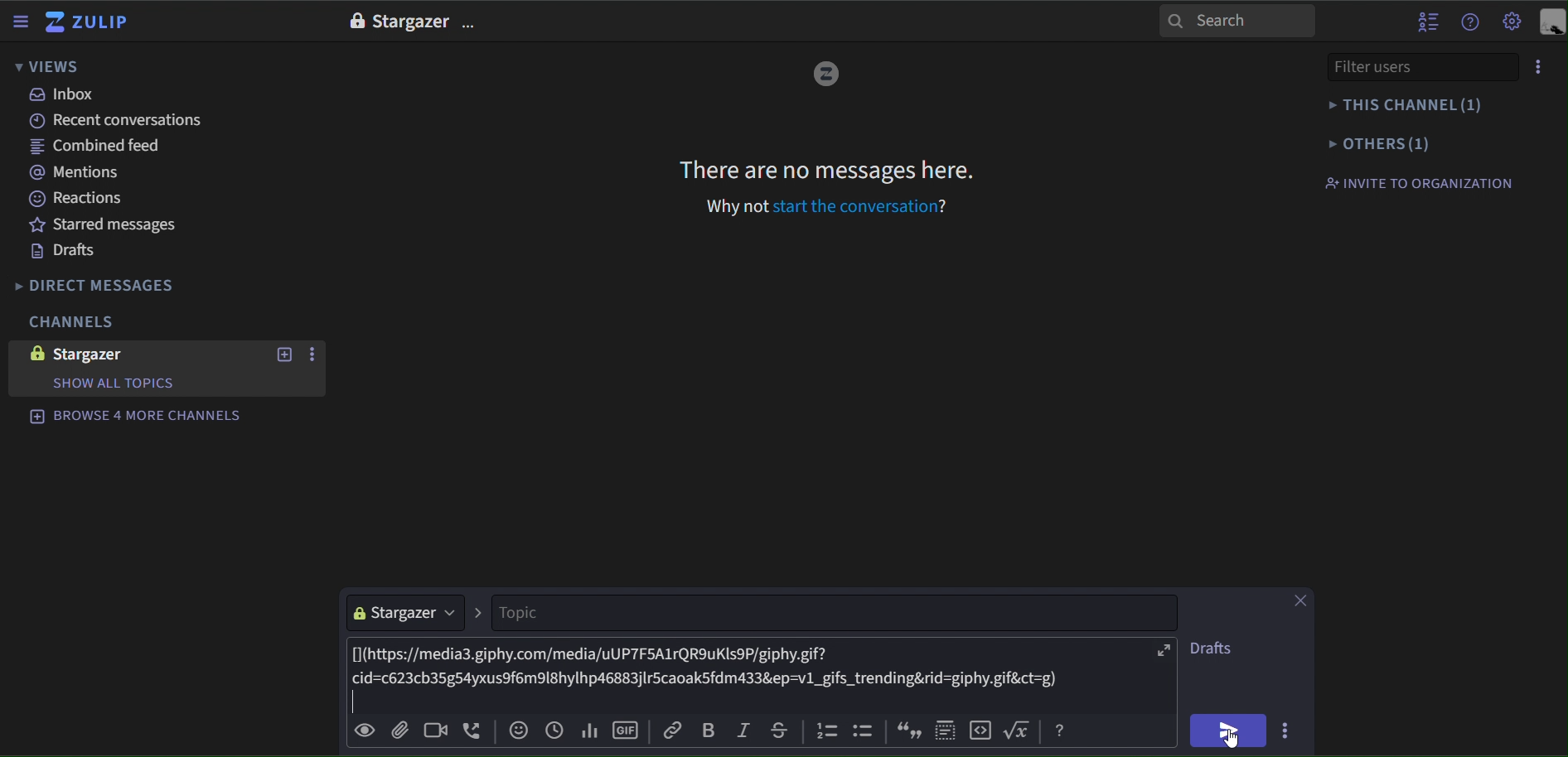 The width and height of the screenshot is (1568, 757). What do you see at coordinates (1414, 142) in the screenshot?
I see `Others(1)` at bounding box center [1414, 142].